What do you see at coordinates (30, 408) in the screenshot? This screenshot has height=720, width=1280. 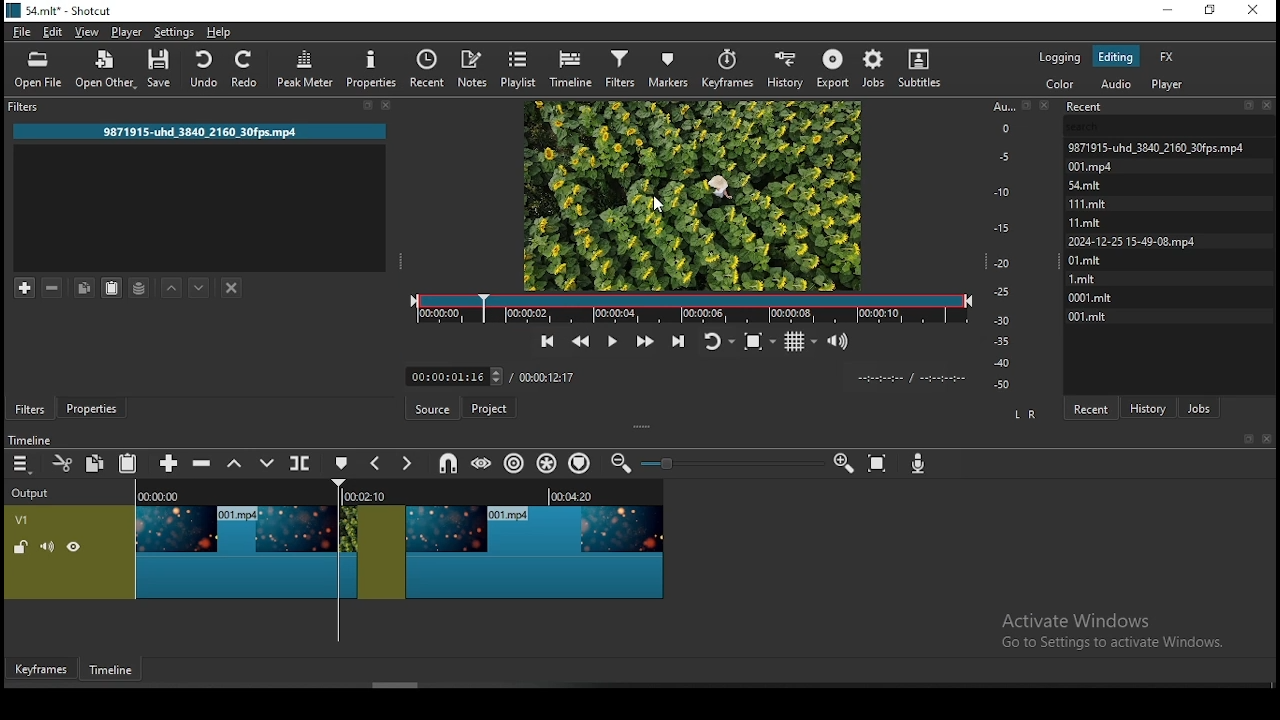 I see `filters` at bounding box center [30, 408].